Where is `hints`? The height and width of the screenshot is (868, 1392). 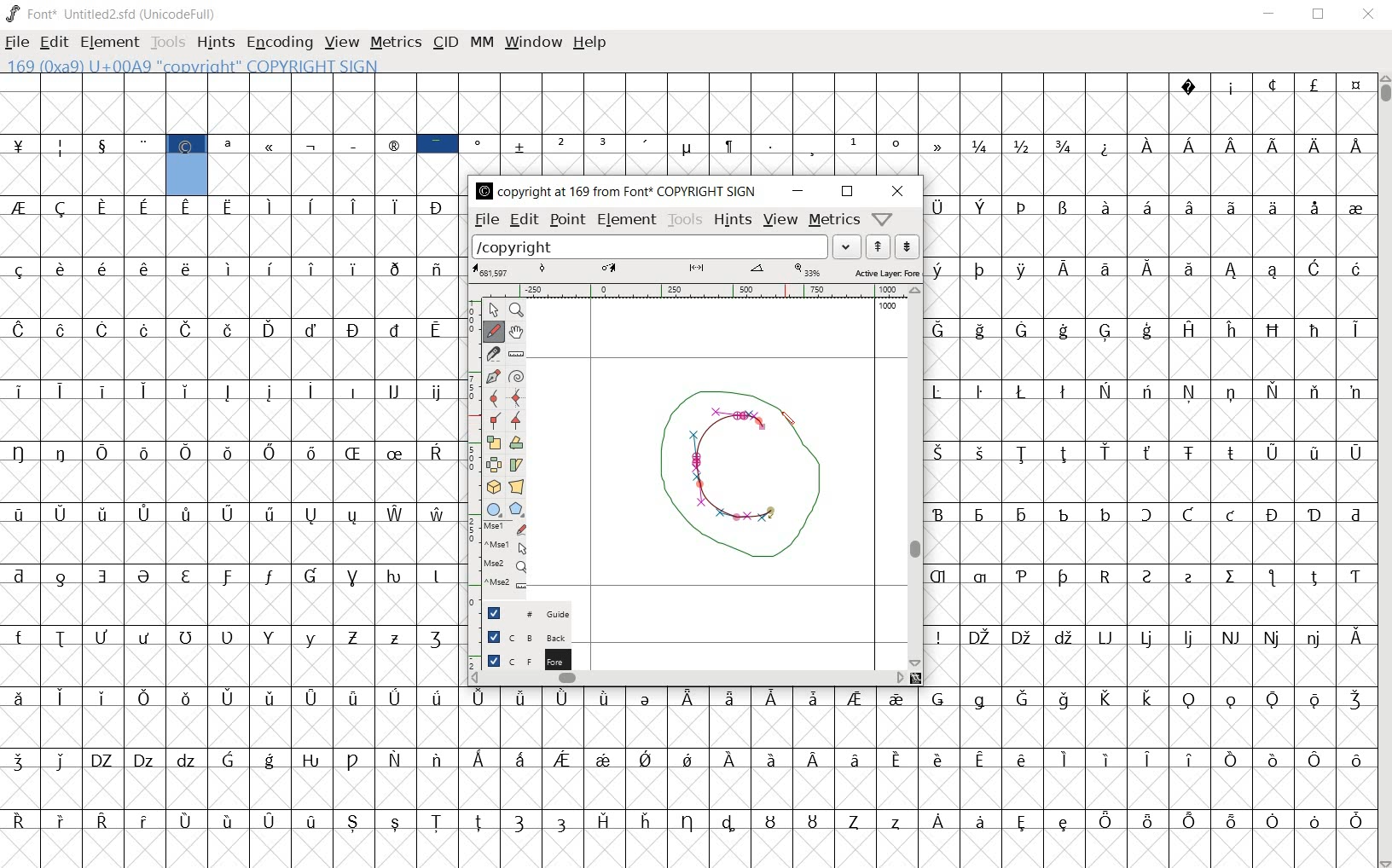 hints is located at coordinates (214, 43).